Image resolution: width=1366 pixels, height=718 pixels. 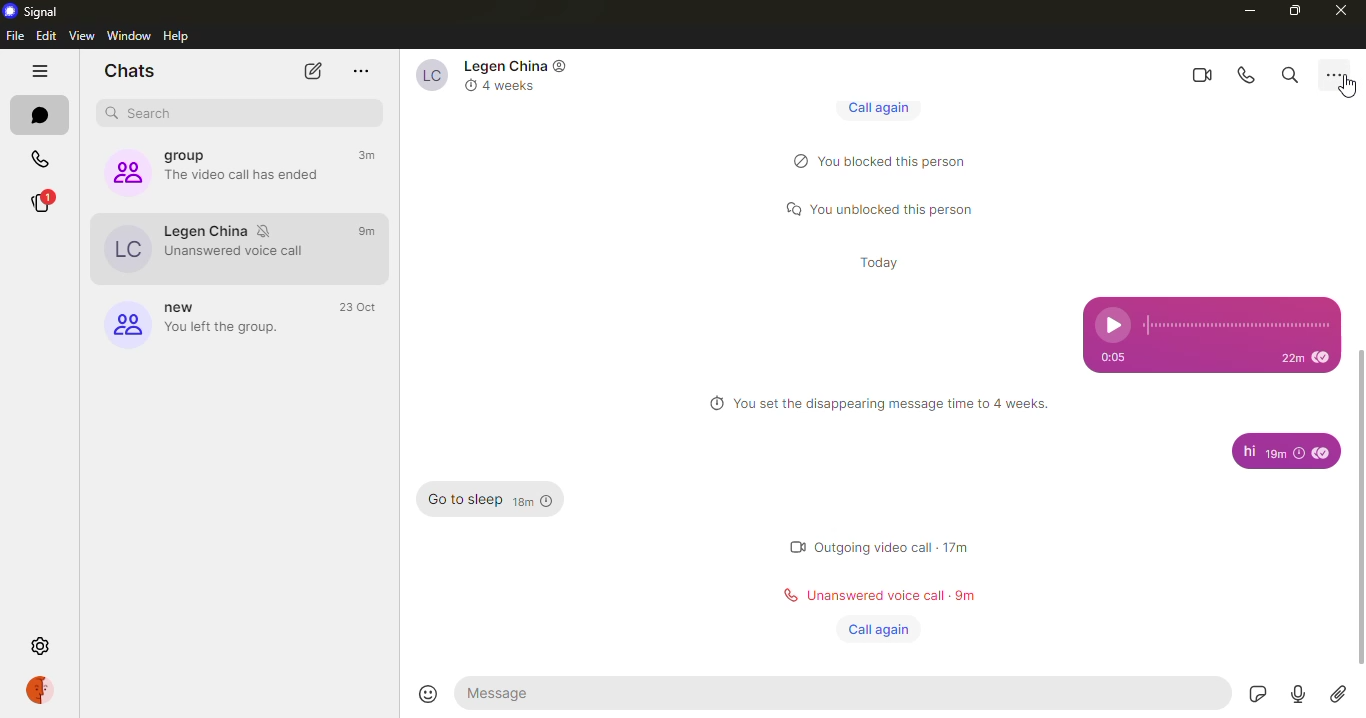 What do you see at coordinates (966, 596) in the screenshot?
I see `time` at bounding box center [966, 596].